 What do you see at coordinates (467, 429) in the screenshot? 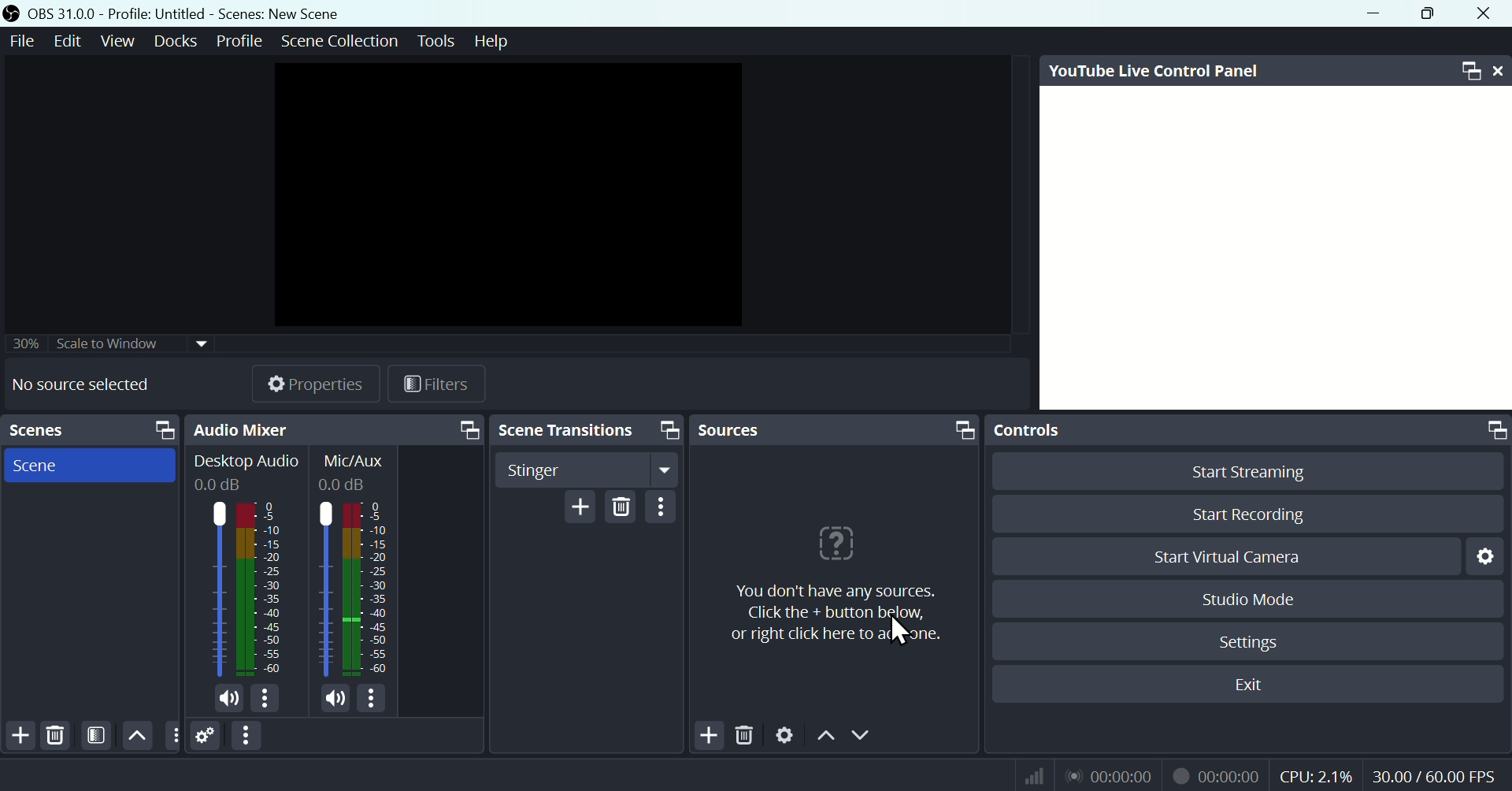
I see `screen resize` at bounding box center [467, 429].